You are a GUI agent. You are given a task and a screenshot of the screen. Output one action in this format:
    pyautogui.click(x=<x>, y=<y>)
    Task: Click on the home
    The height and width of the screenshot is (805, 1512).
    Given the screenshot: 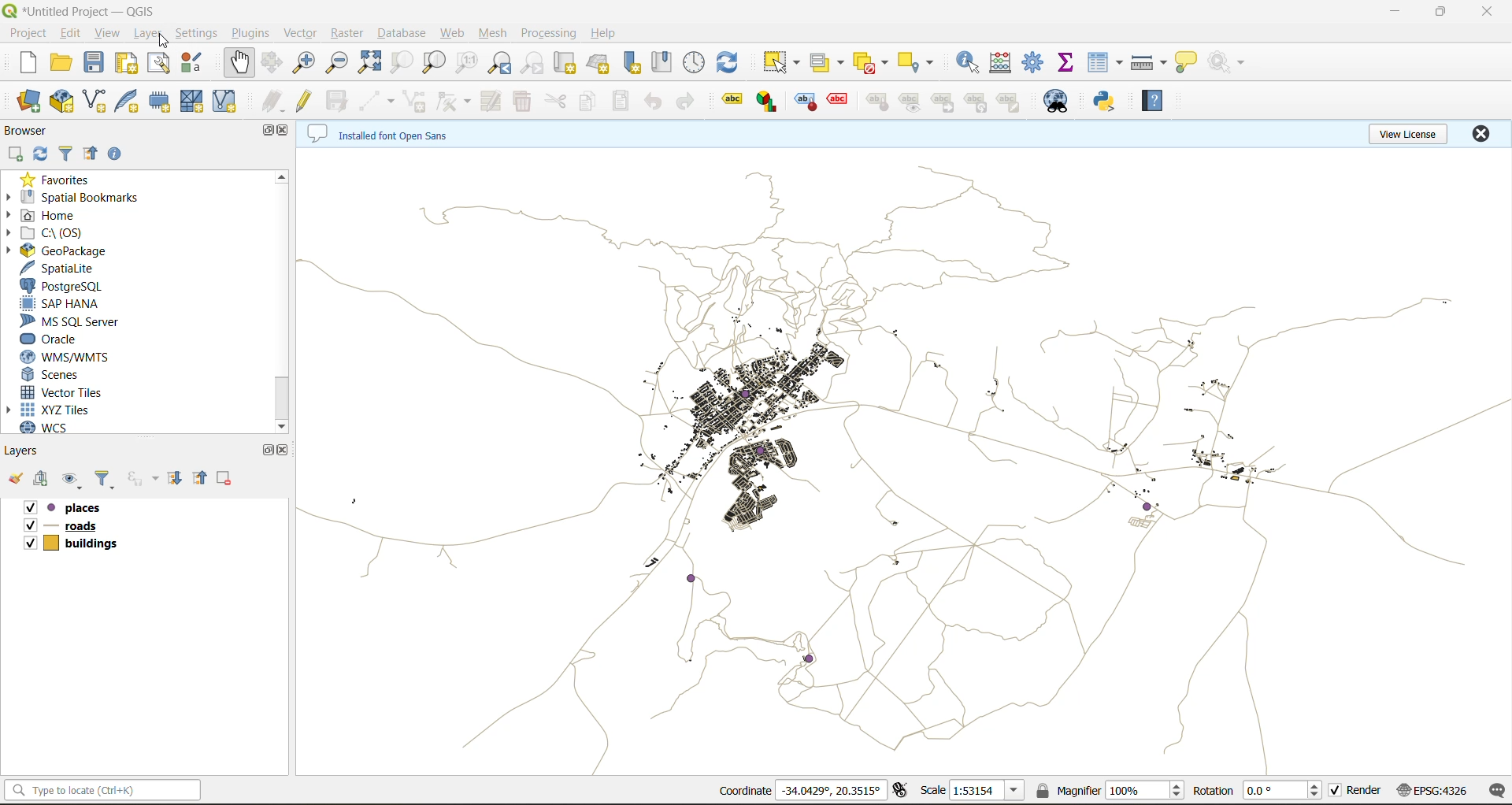 What is the action you would take?
    pyautogui.click(x=50, y=218)
    